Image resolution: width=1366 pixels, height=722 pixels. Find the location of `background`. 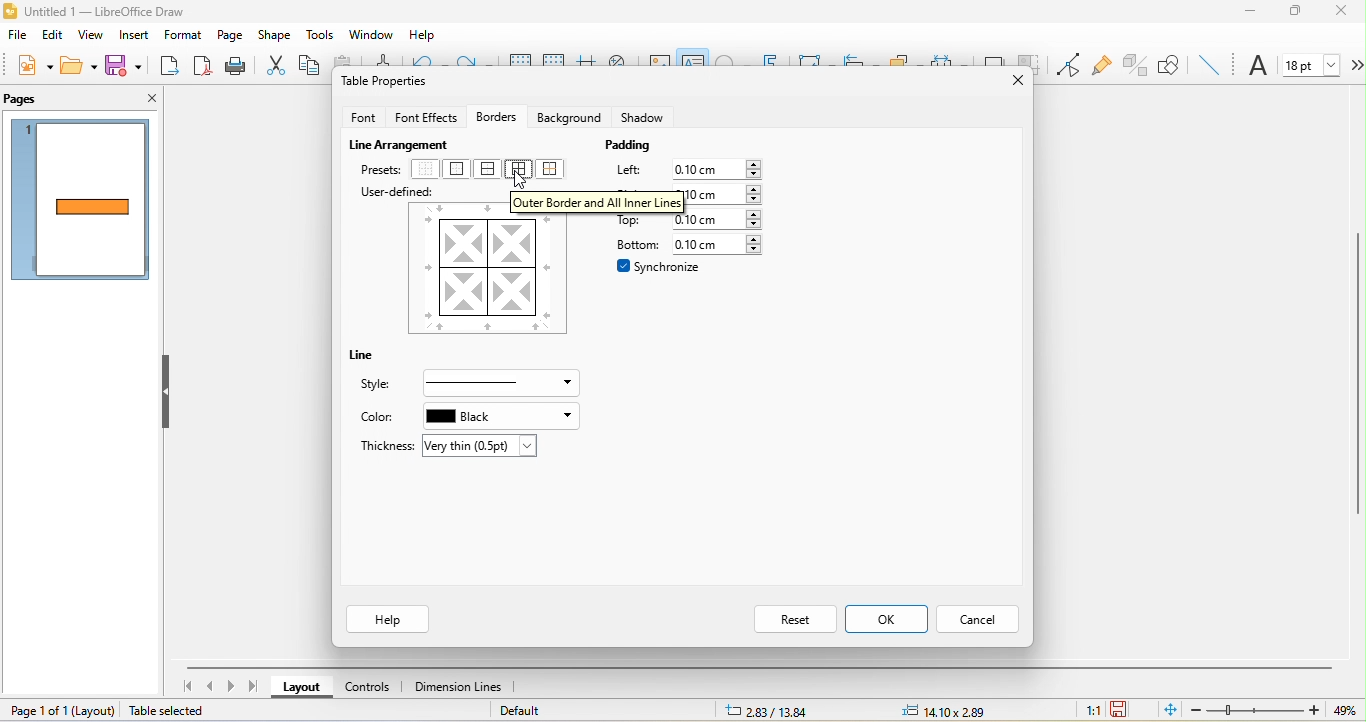

background is located at coordinates (568, 117).